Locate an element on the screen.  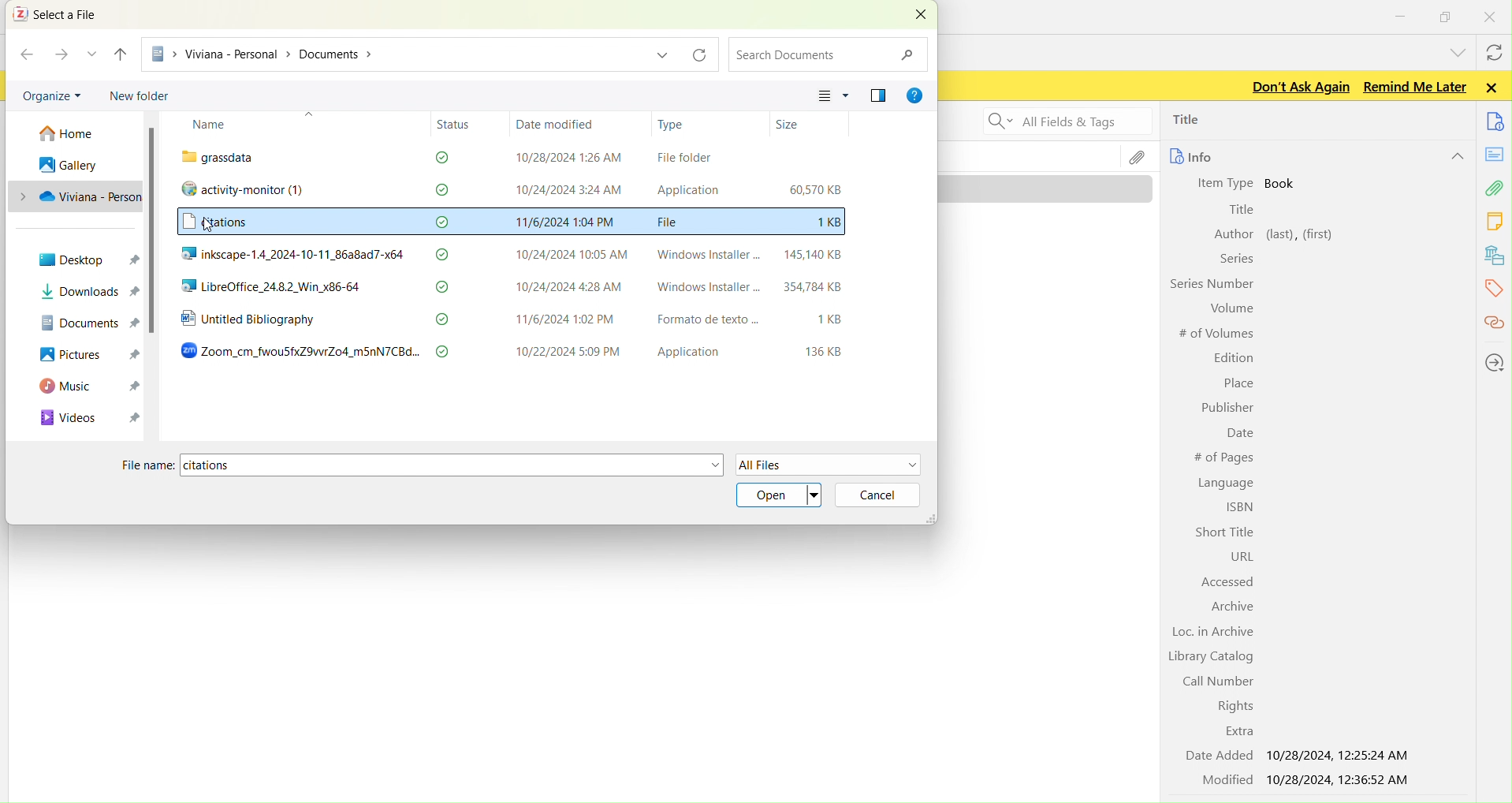
Application is located at coordinates (687, 189).